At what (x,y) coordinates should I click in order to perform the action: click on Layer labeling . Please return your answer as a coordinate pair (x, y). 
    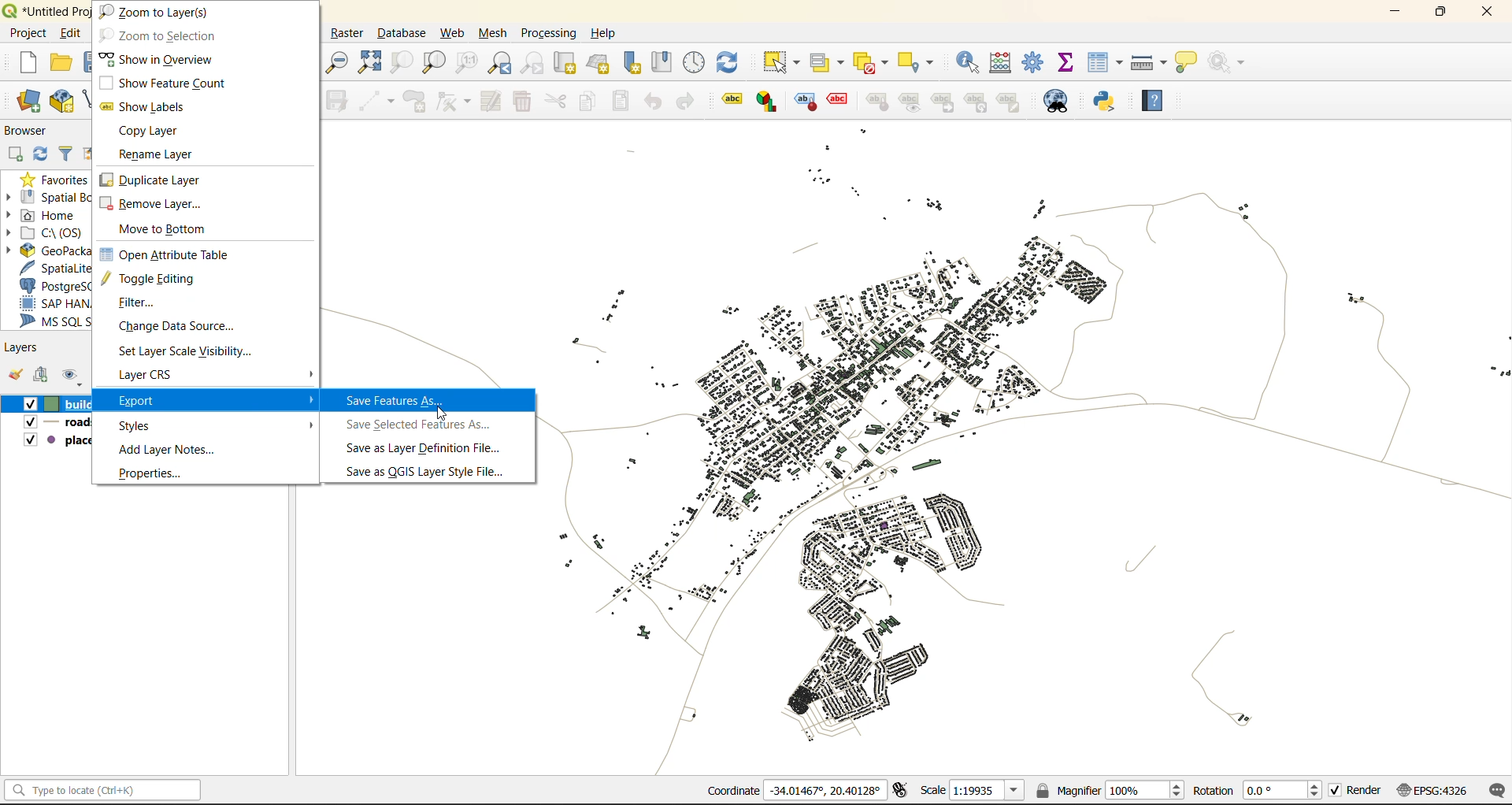
    Looking at the image, I should click on (732, 102).